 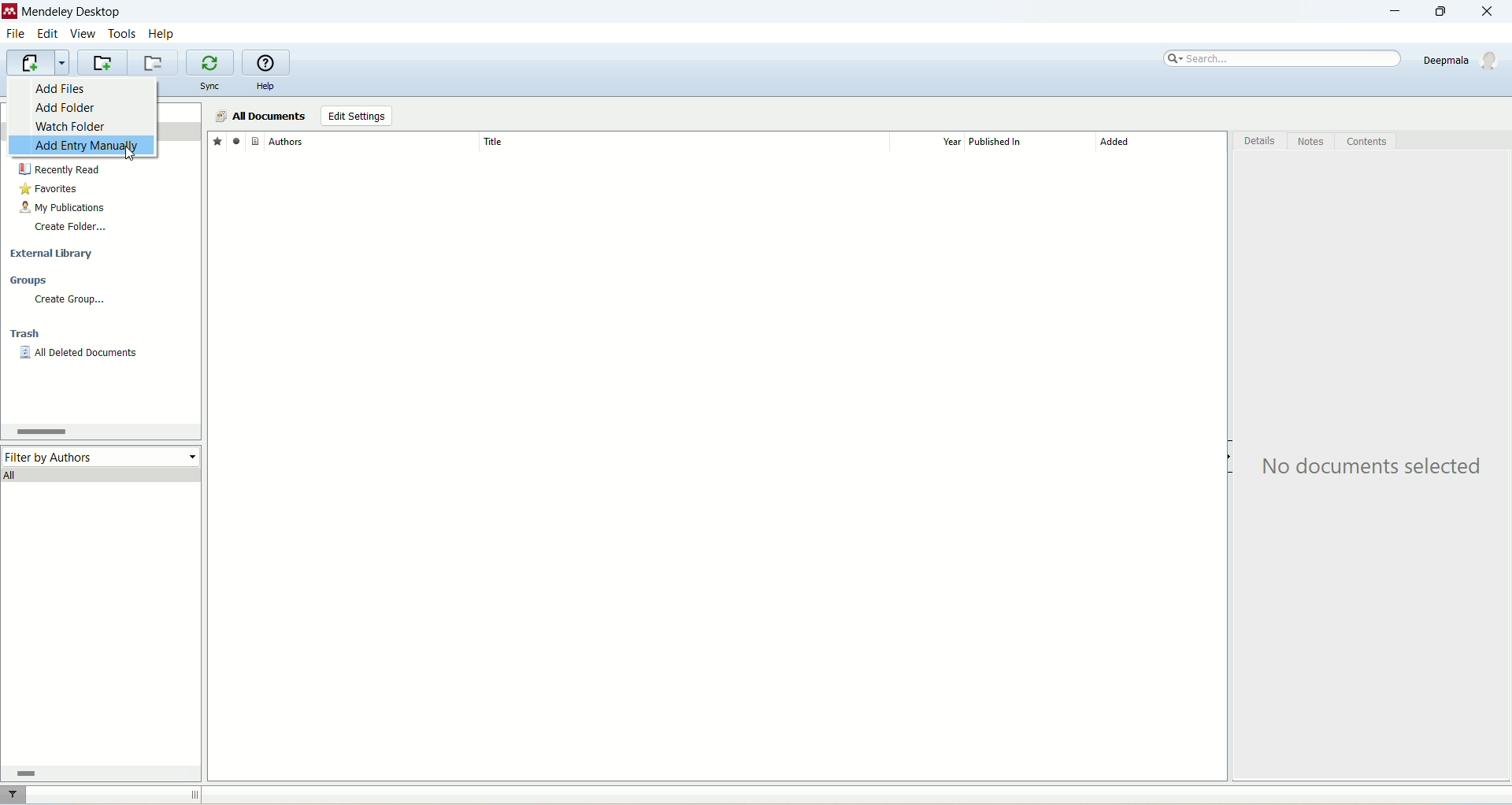 What do you see at coordinates (932, 142) in the screenshot?
I see `year` at bounding box center [932, 142].